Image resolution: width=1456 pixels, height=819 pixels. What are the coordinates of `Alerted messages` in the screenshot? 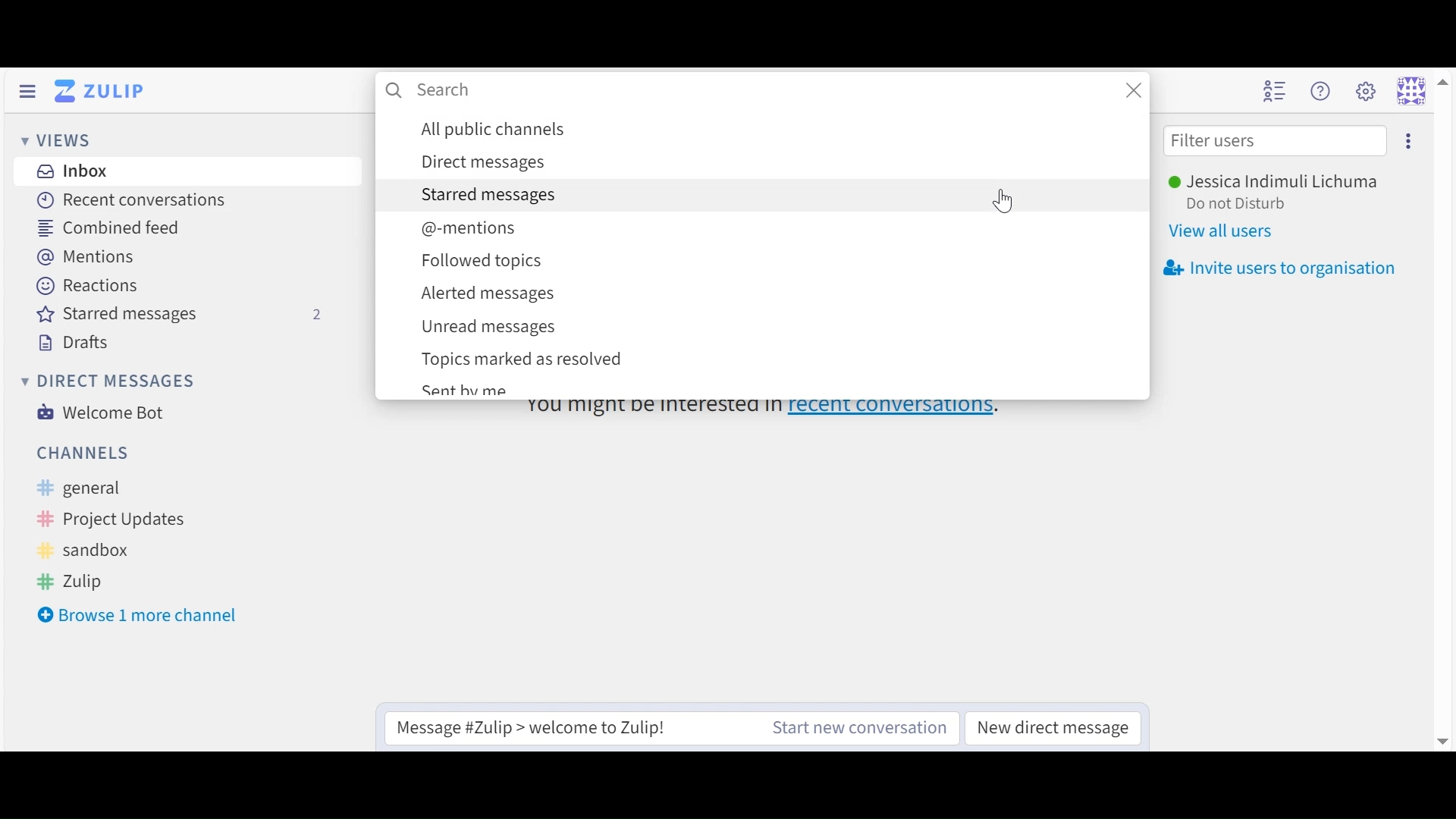 It's located at (777, 293).